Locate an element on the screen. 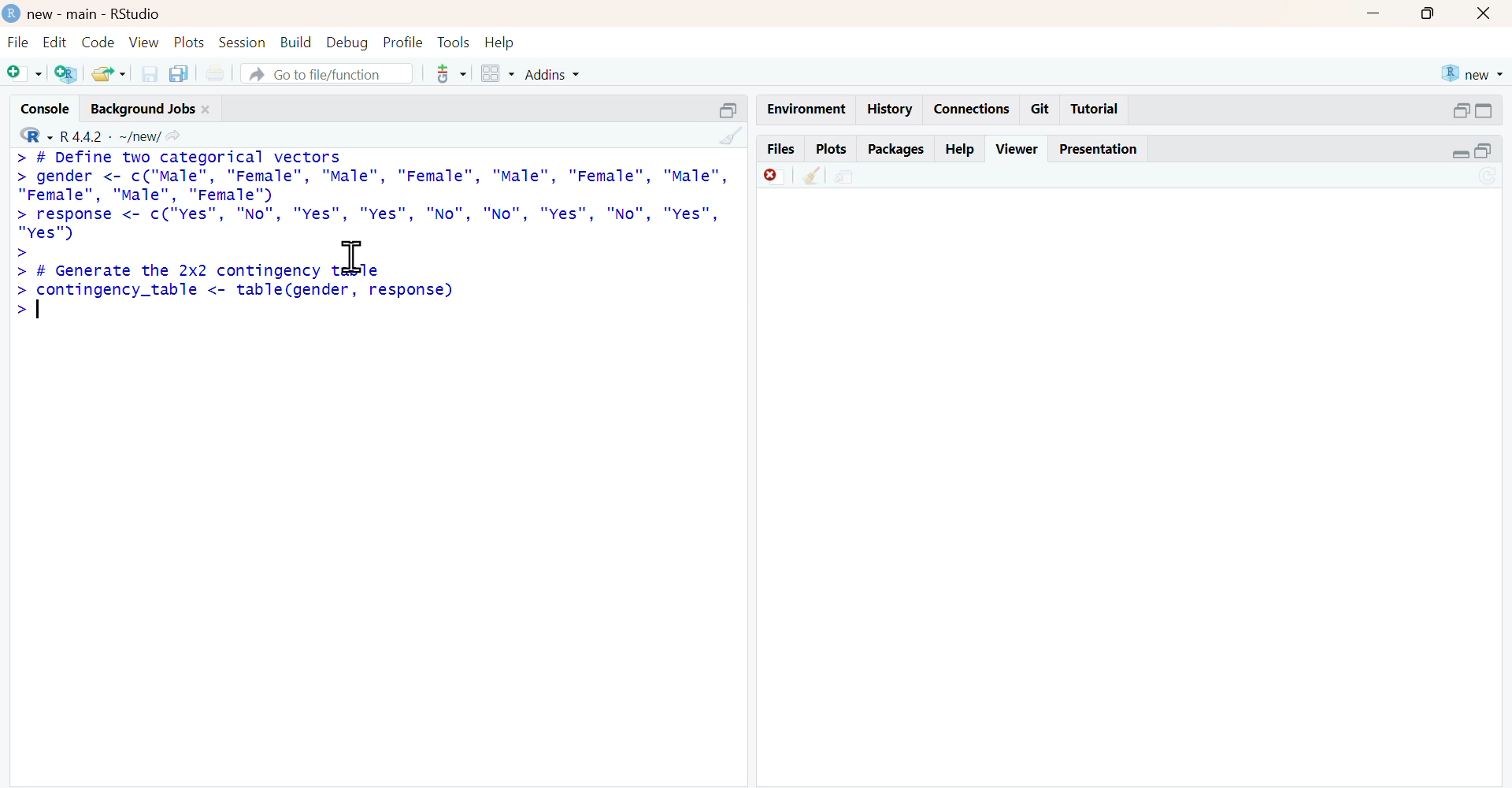  close is located at coordinates (1484, 14).